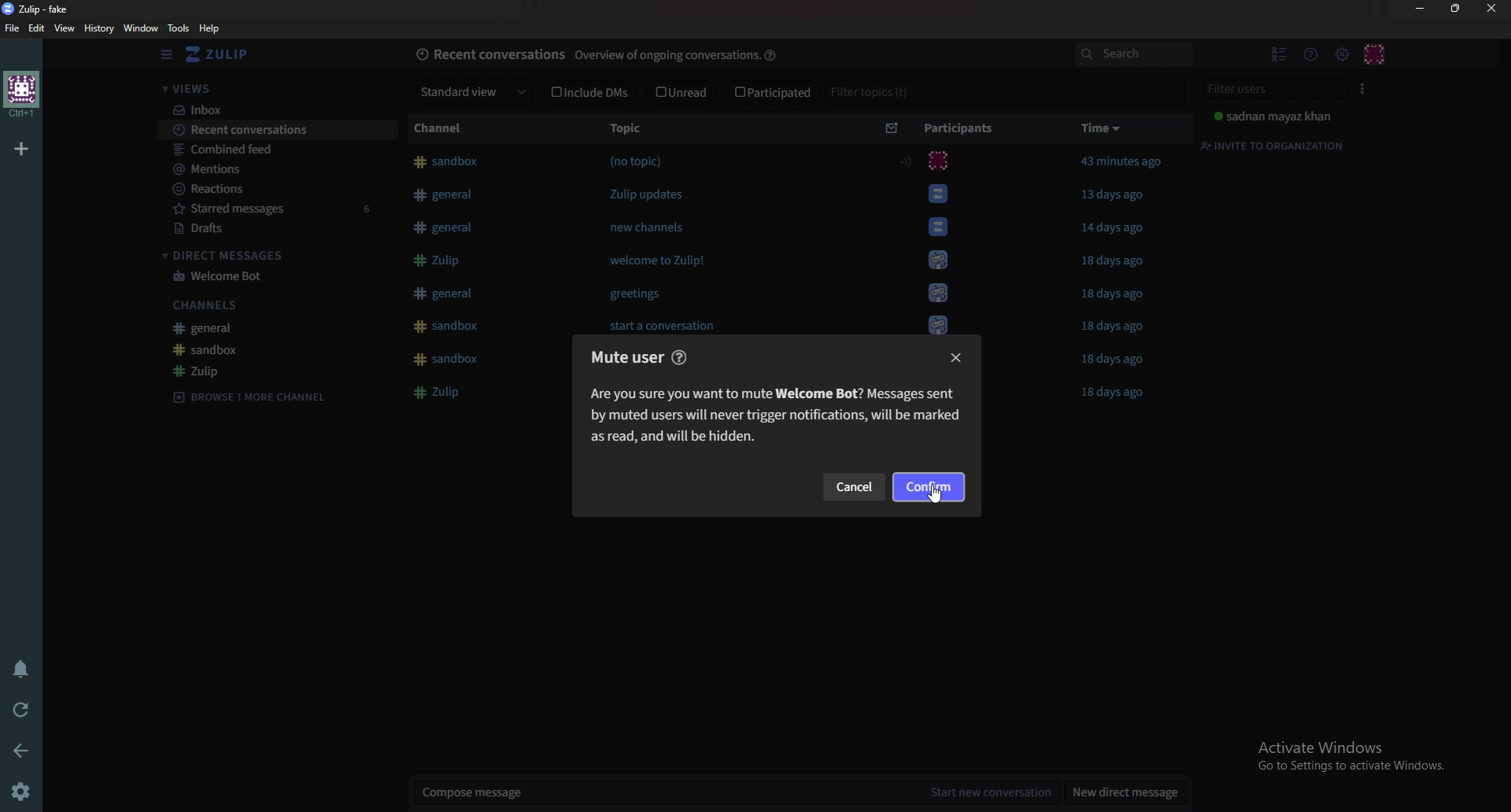 The width and height of the screenshot is (1511, 812). What do you see at coordinates (489, 54) in the screenshot?
I see `Recent conversations` at bounding box center [489, 54].